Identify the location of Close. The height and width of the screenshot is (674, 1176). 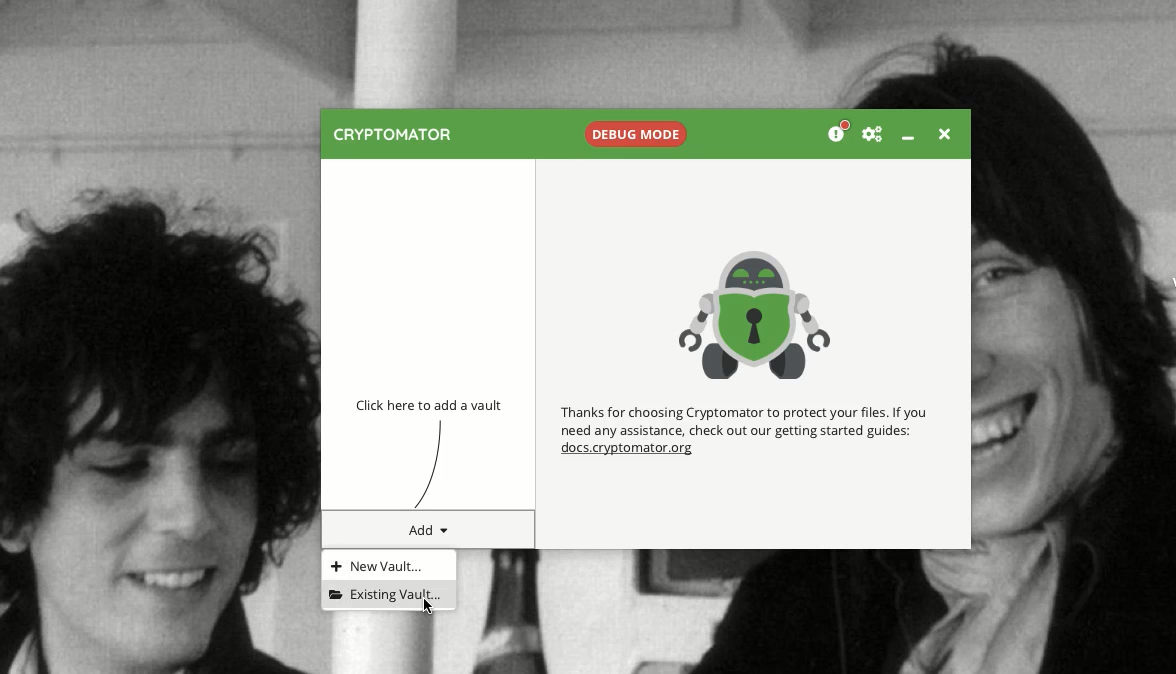
(944, 136).